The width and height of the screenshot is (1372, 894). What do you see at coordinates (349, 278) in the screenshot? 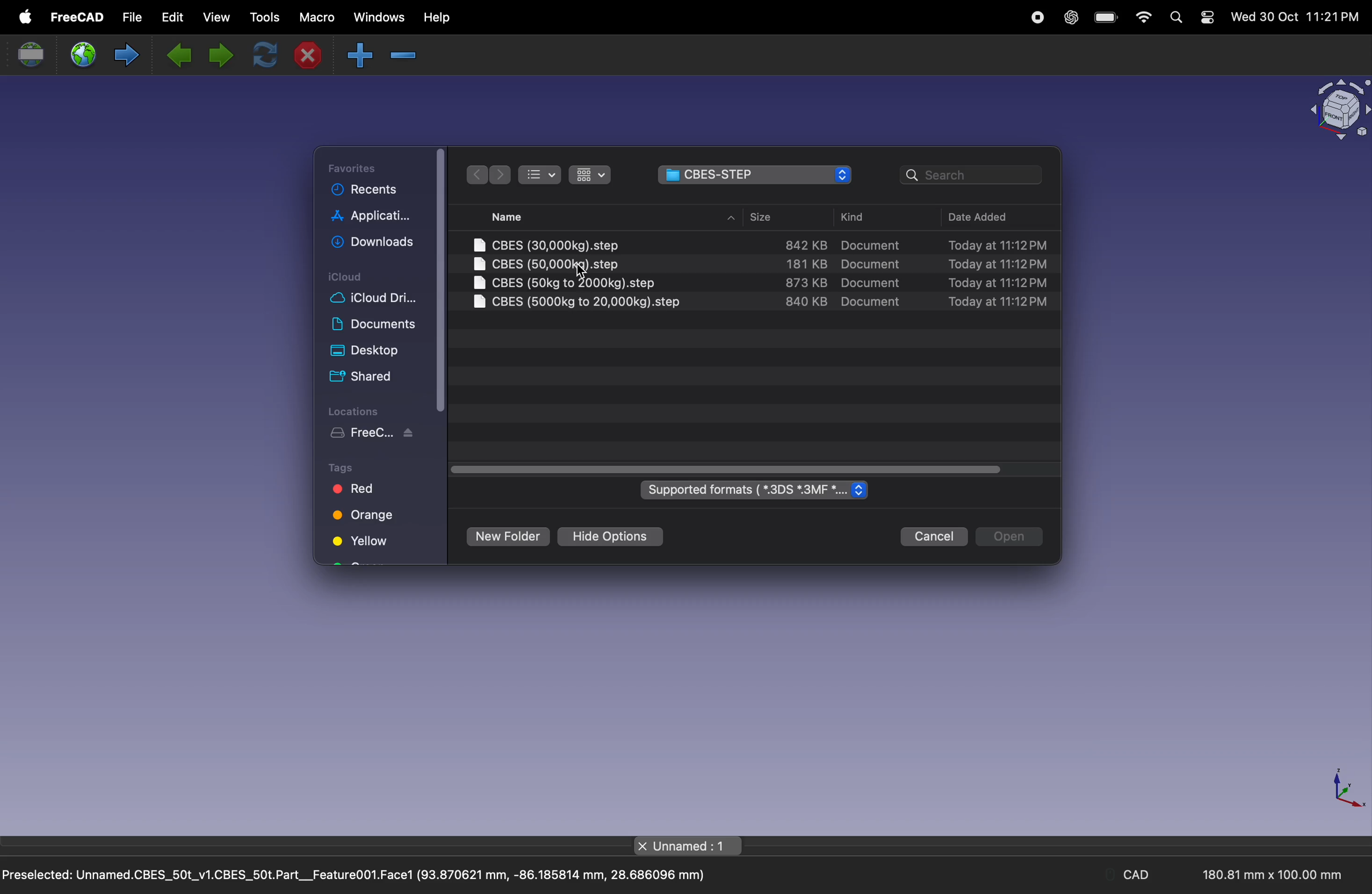
I see `icloud` at bounding box center [349, 278].